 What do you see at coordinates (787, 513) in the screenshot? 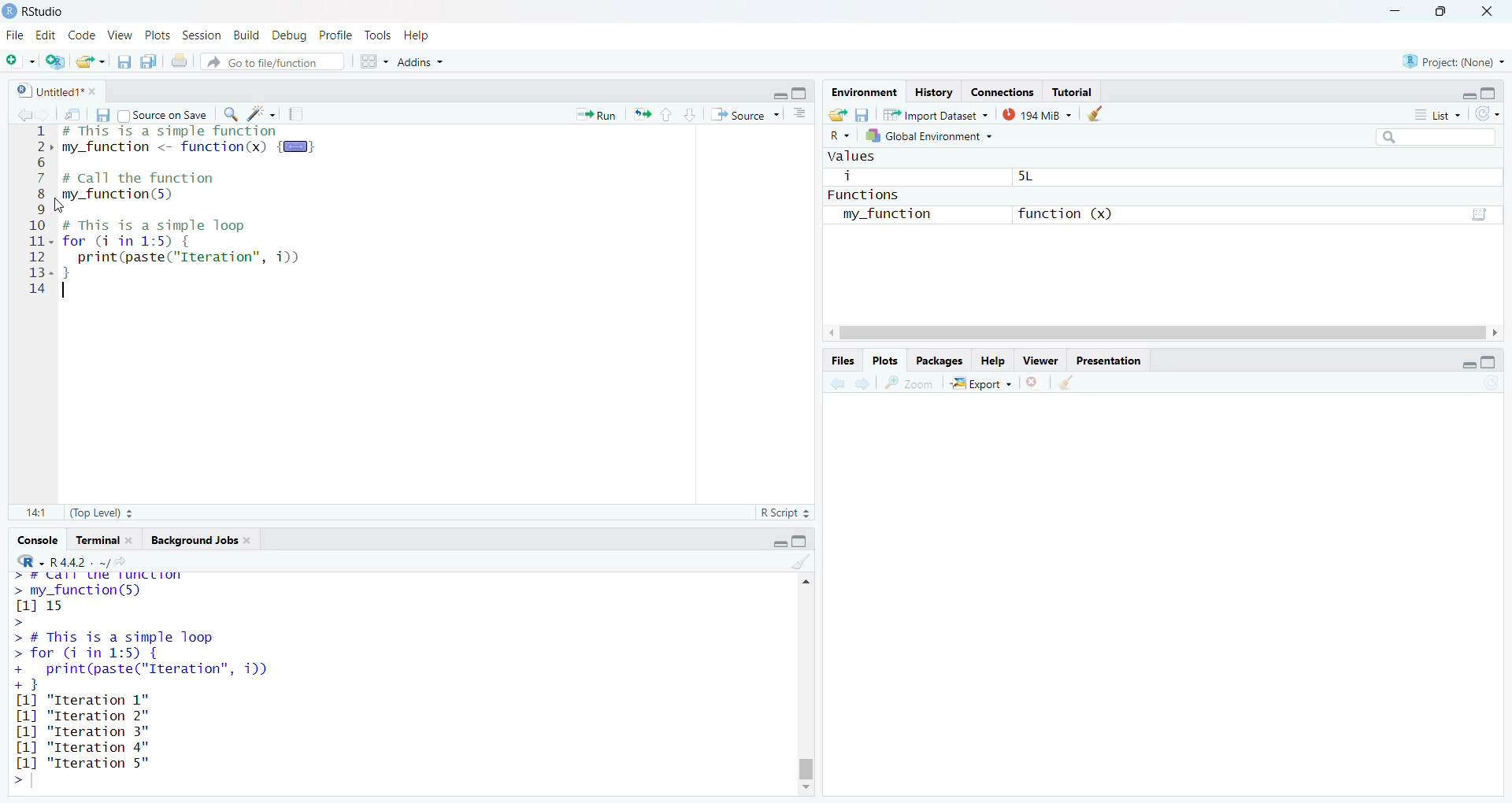
I see `R Script` at bounding box center [787, 513].